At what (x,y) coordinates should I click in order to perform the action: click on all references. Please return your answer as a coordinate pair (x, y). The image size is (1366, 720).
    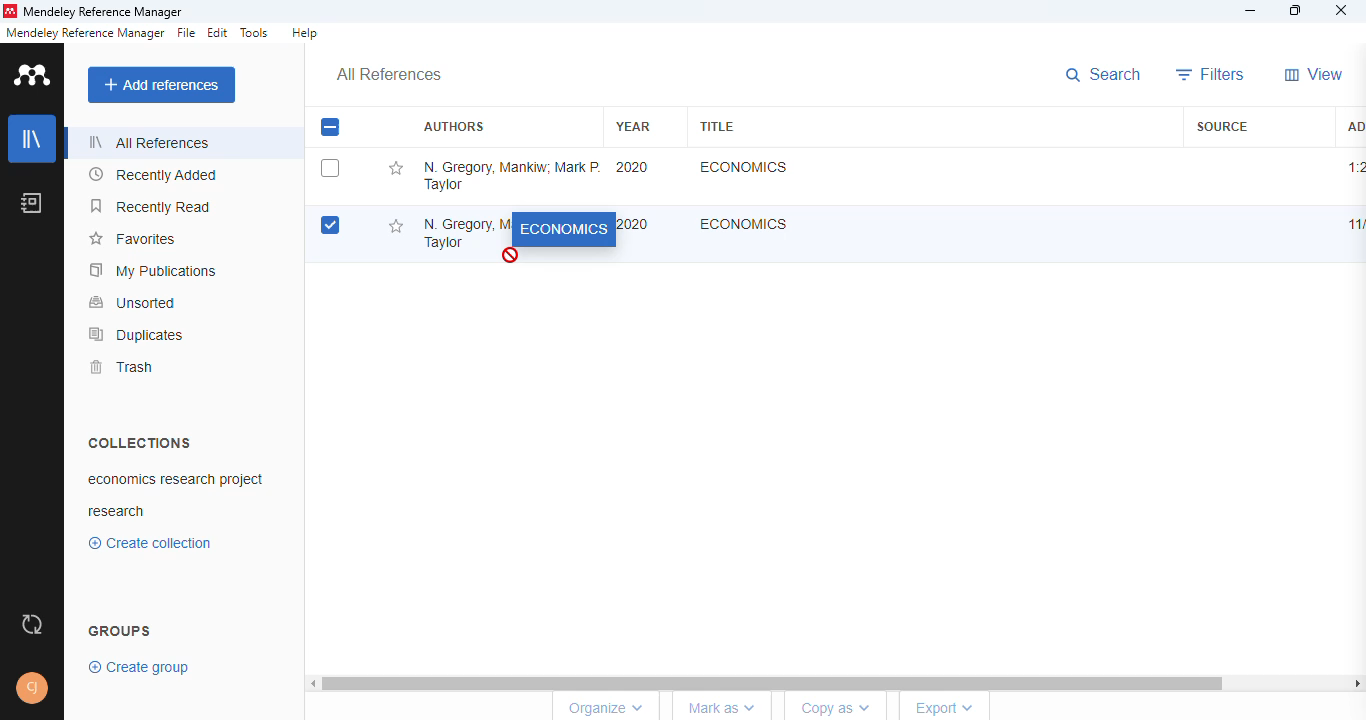
    Looking at the image, I should click on (149, 142).